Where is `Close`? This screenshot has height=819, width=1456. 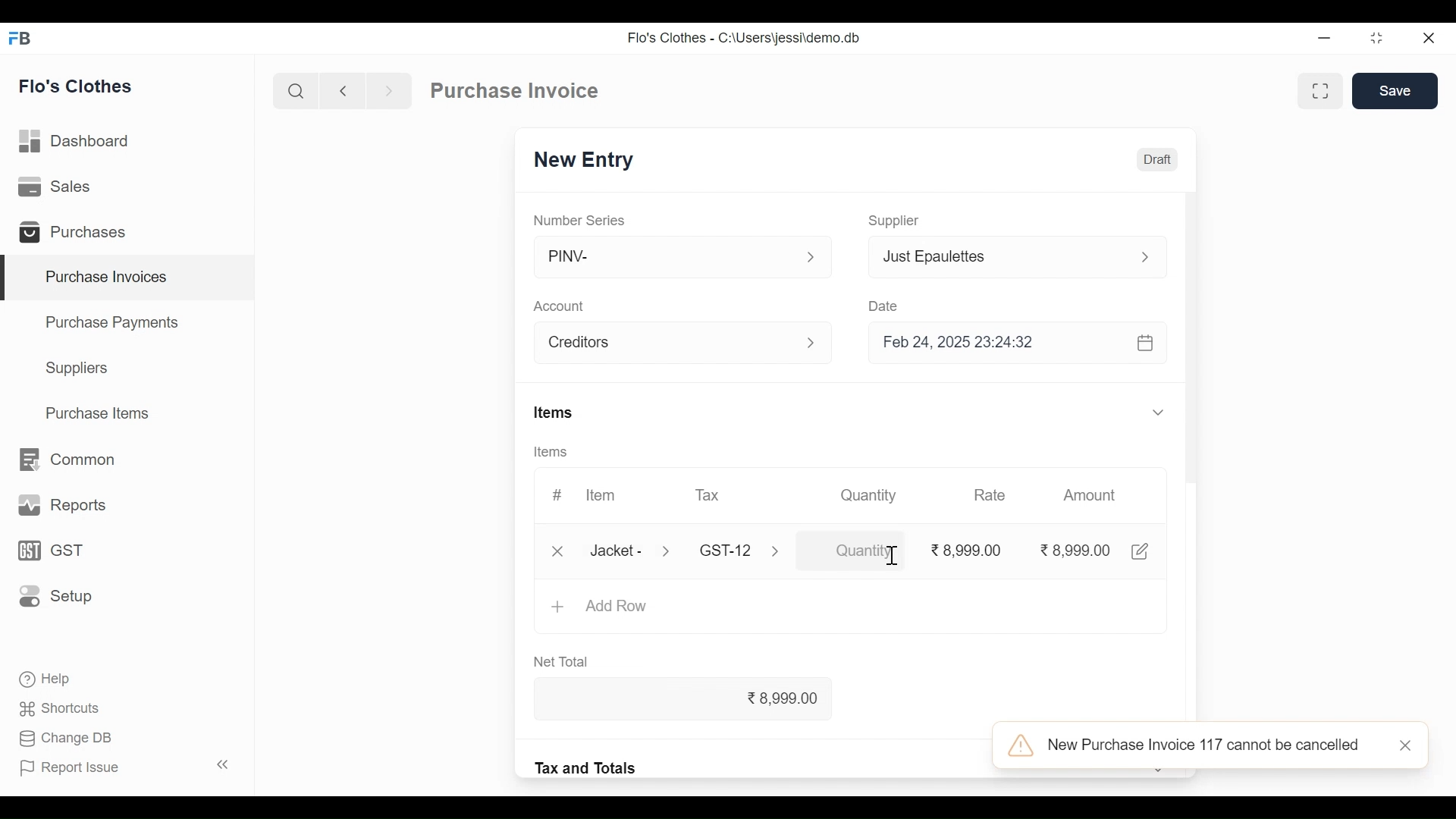
Close is located at coordinates (555, 551).